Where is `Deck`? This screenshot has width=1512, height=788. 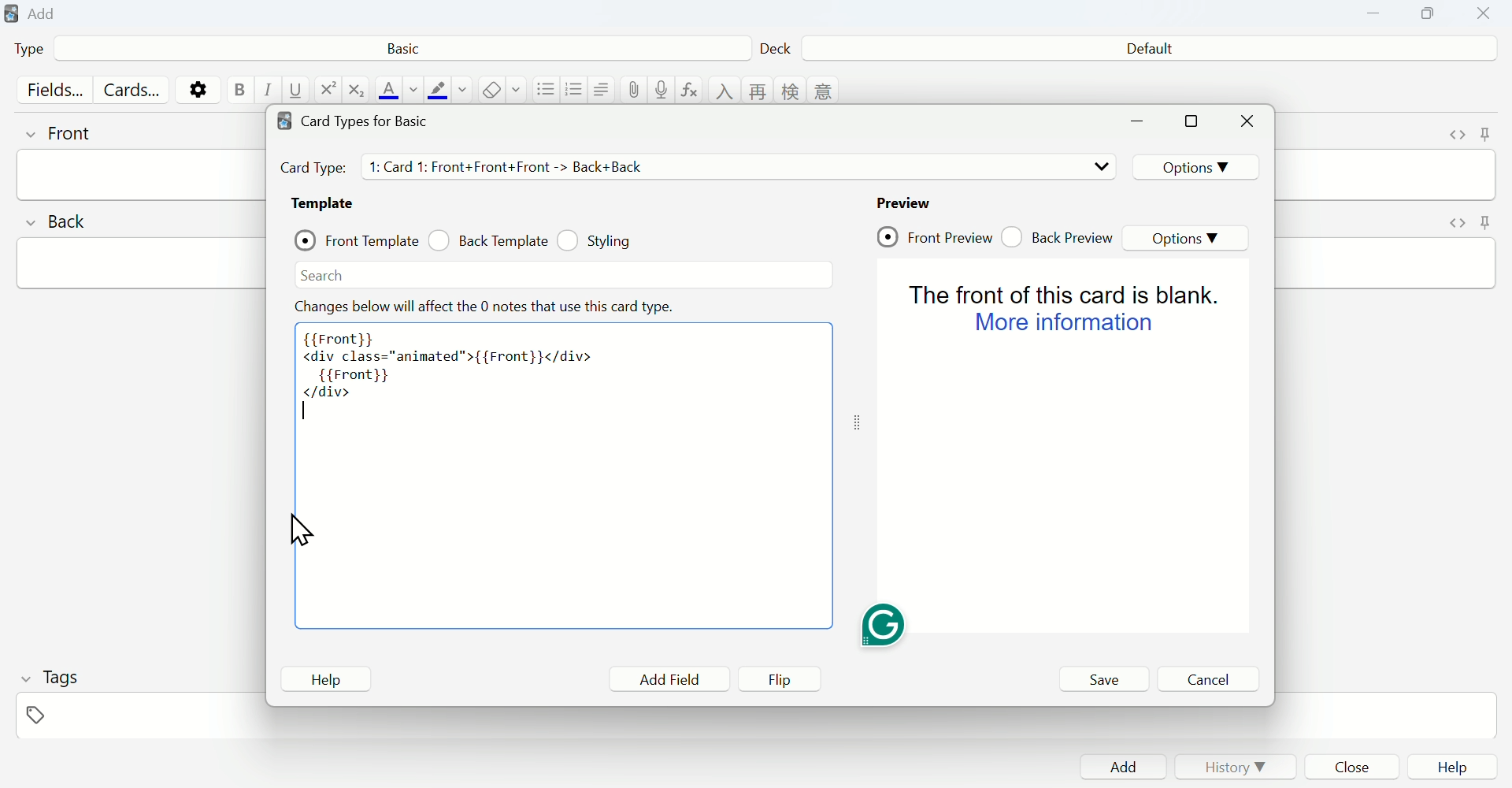
Deck is located at coordinates (774, 50).